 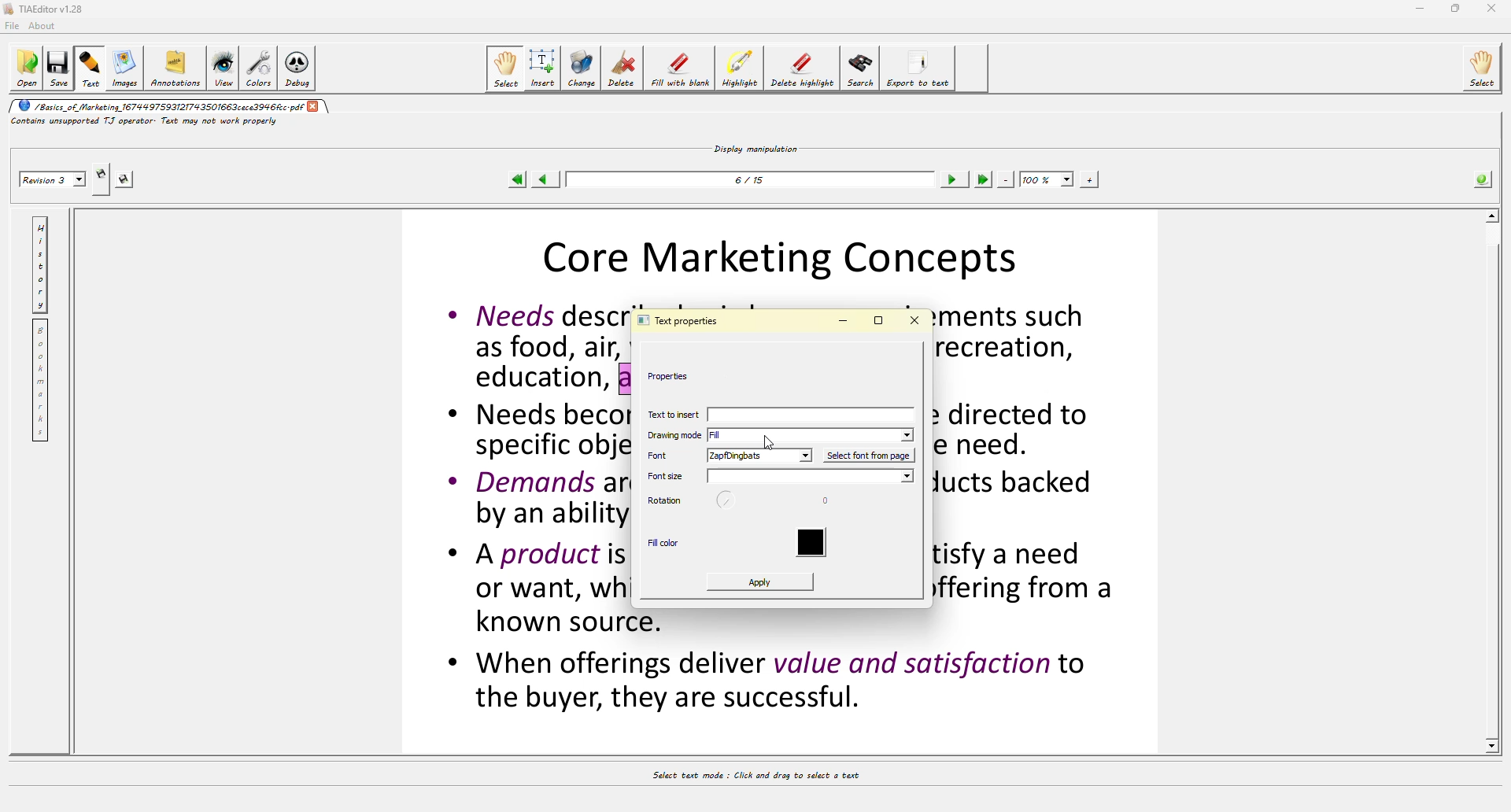 I want to click on zoom out, so click(x=1007, y=179).